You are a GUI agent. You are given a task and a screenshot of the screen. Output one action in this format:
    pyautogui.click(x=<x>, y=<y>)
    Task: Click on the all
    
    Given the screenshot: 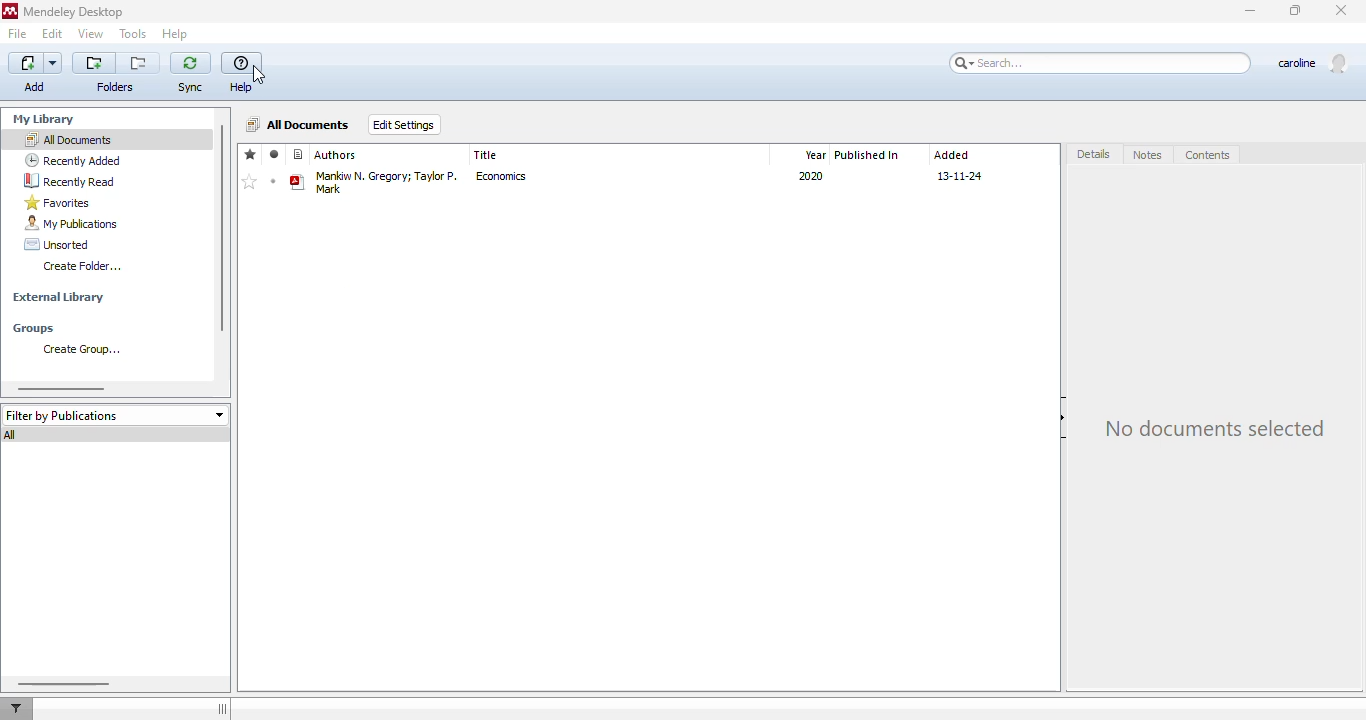 What is the action you would take?
    pyautogui.click(x=10, y=435)
    